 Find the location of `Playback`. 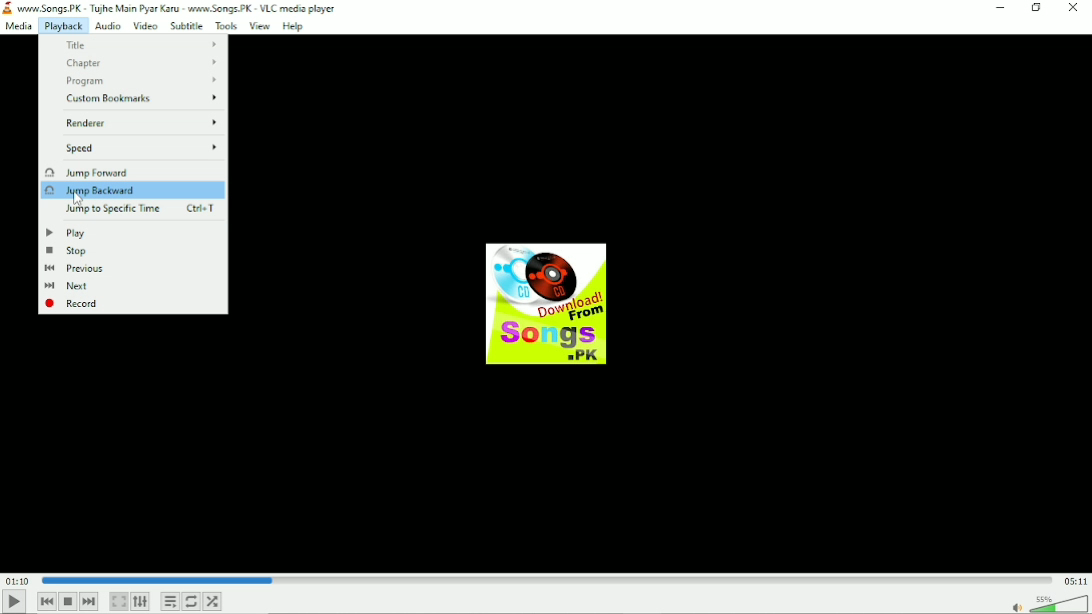

Playback is located at coordinates (62, 27).